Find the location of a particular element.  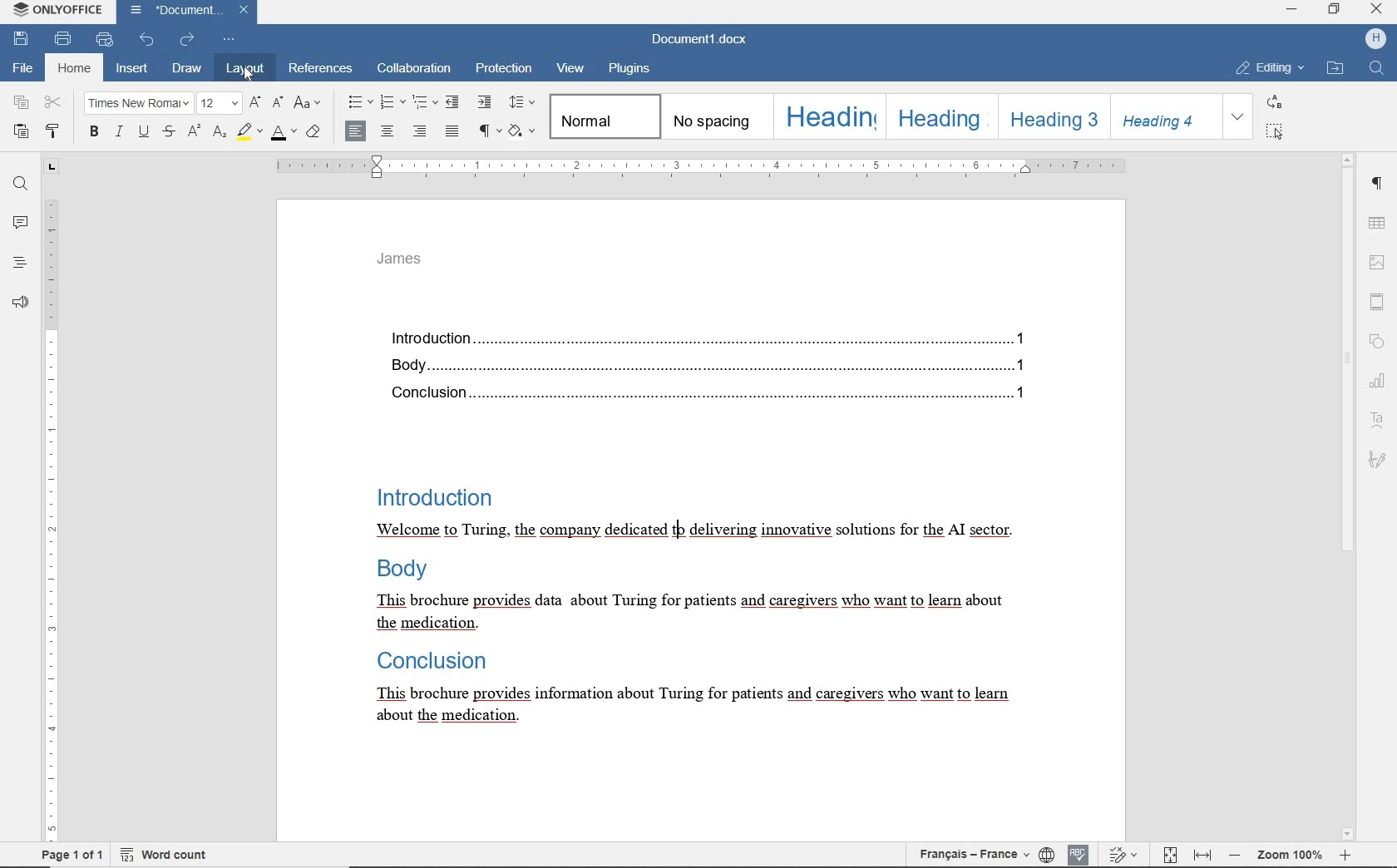

clear style is located at coordinates (316, 133).